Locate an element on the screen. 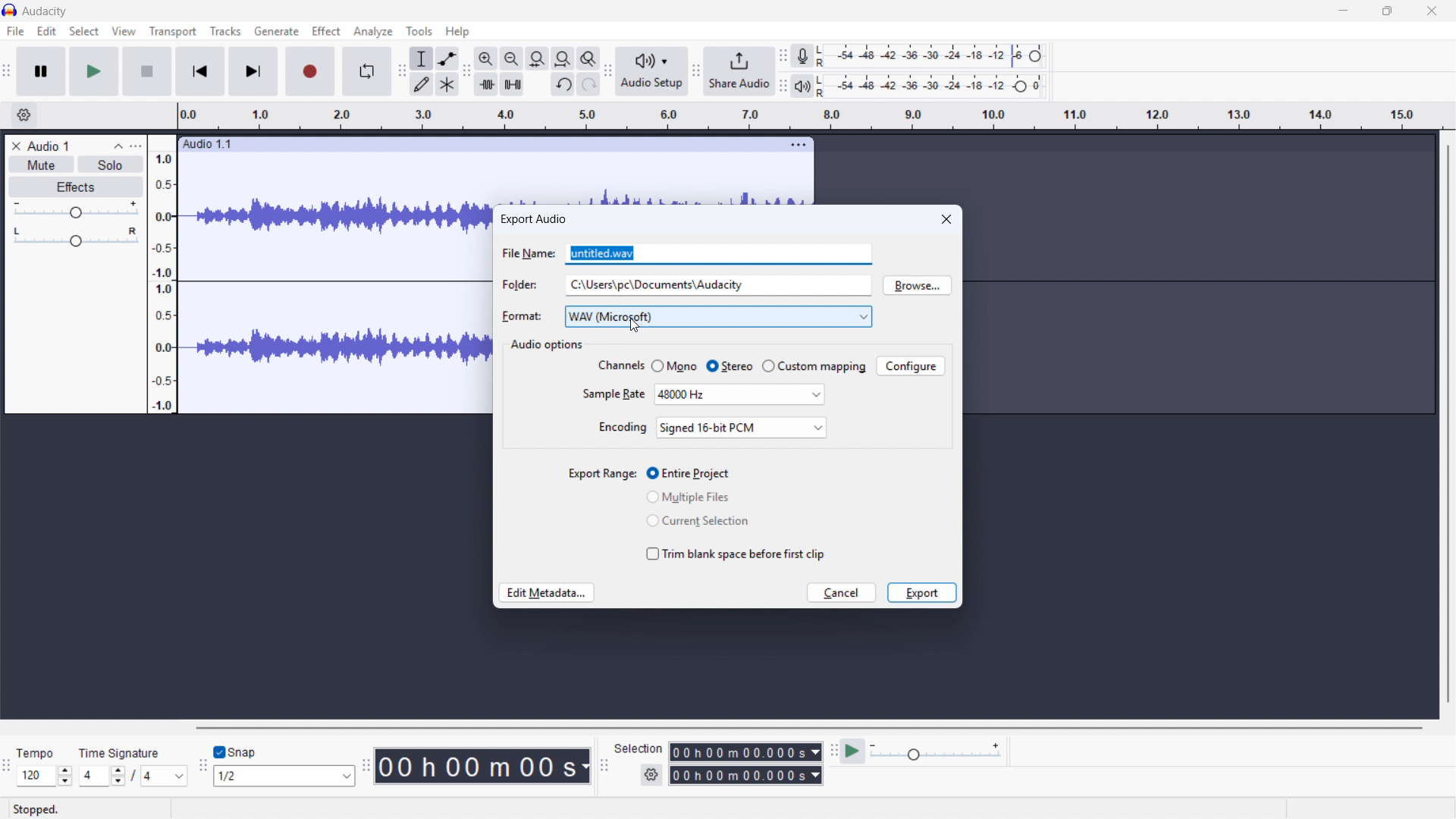 The image size is (1456, 819). minimise  is located at coordinates (1341, 11).